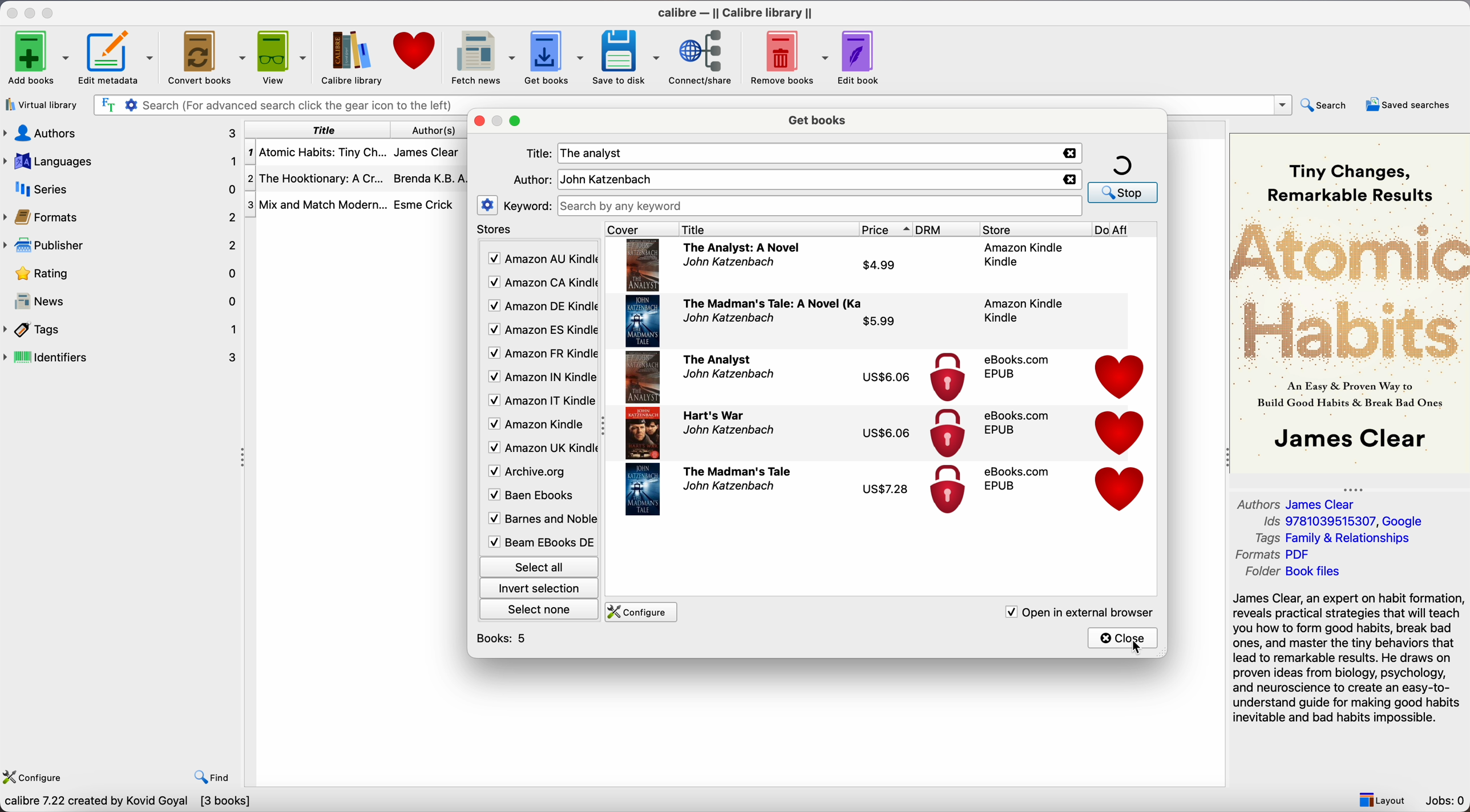  Describe the element at coordinates (539, 450) in the screenshot. I see `Amazon UK Kindle` at that location.